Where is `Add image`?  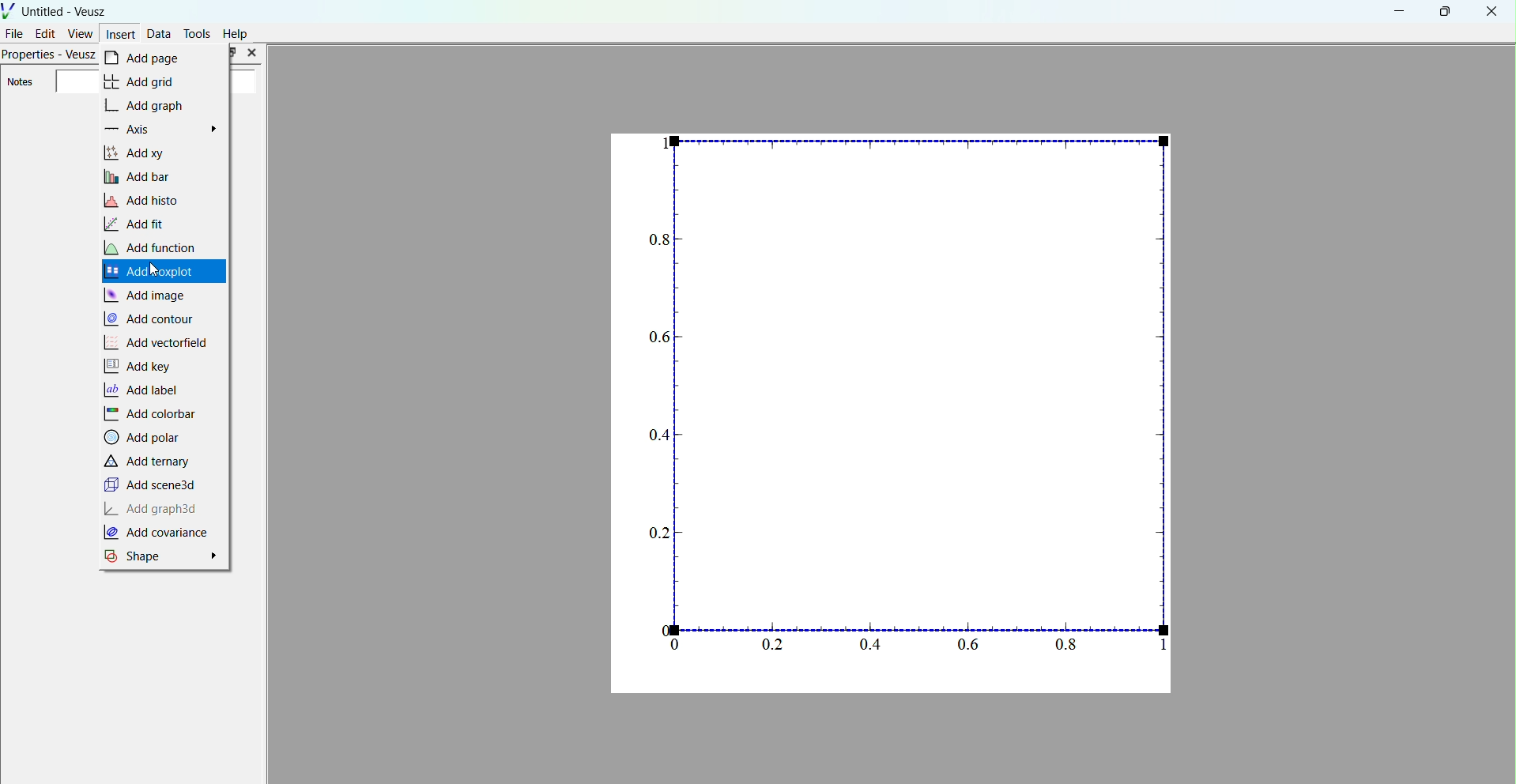 Add image is located at coordinates (149, 293).